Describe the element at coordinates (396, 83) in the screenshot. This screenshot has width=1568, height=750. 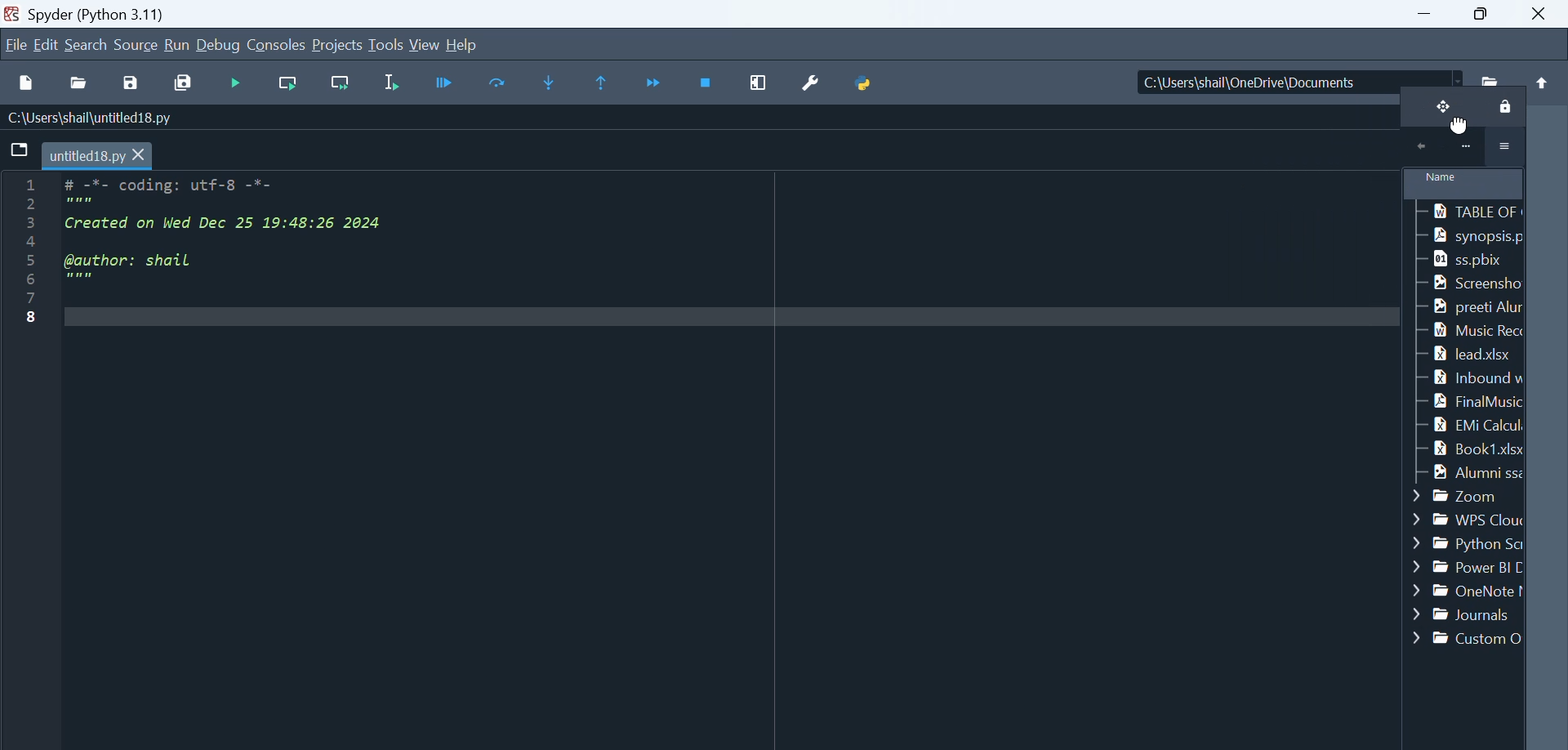
I see `Run selected cell` at that location.